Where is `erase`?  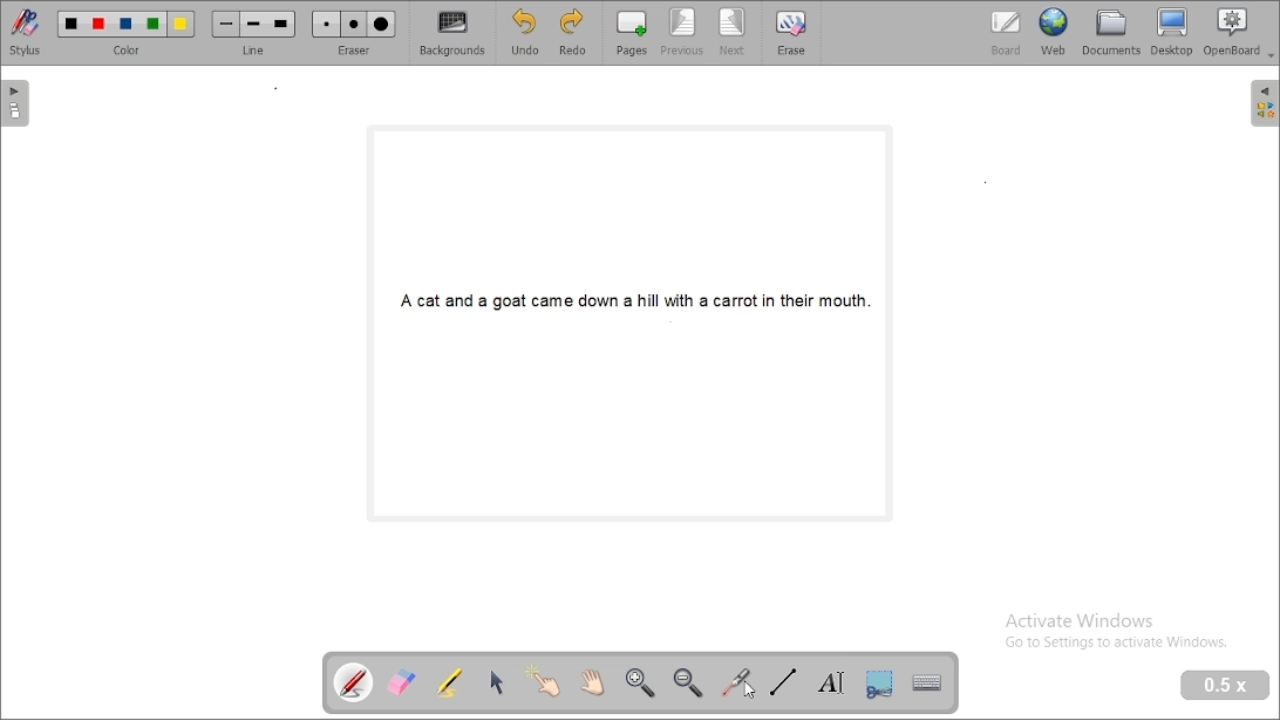
erase is located at coordinates (791, 32).